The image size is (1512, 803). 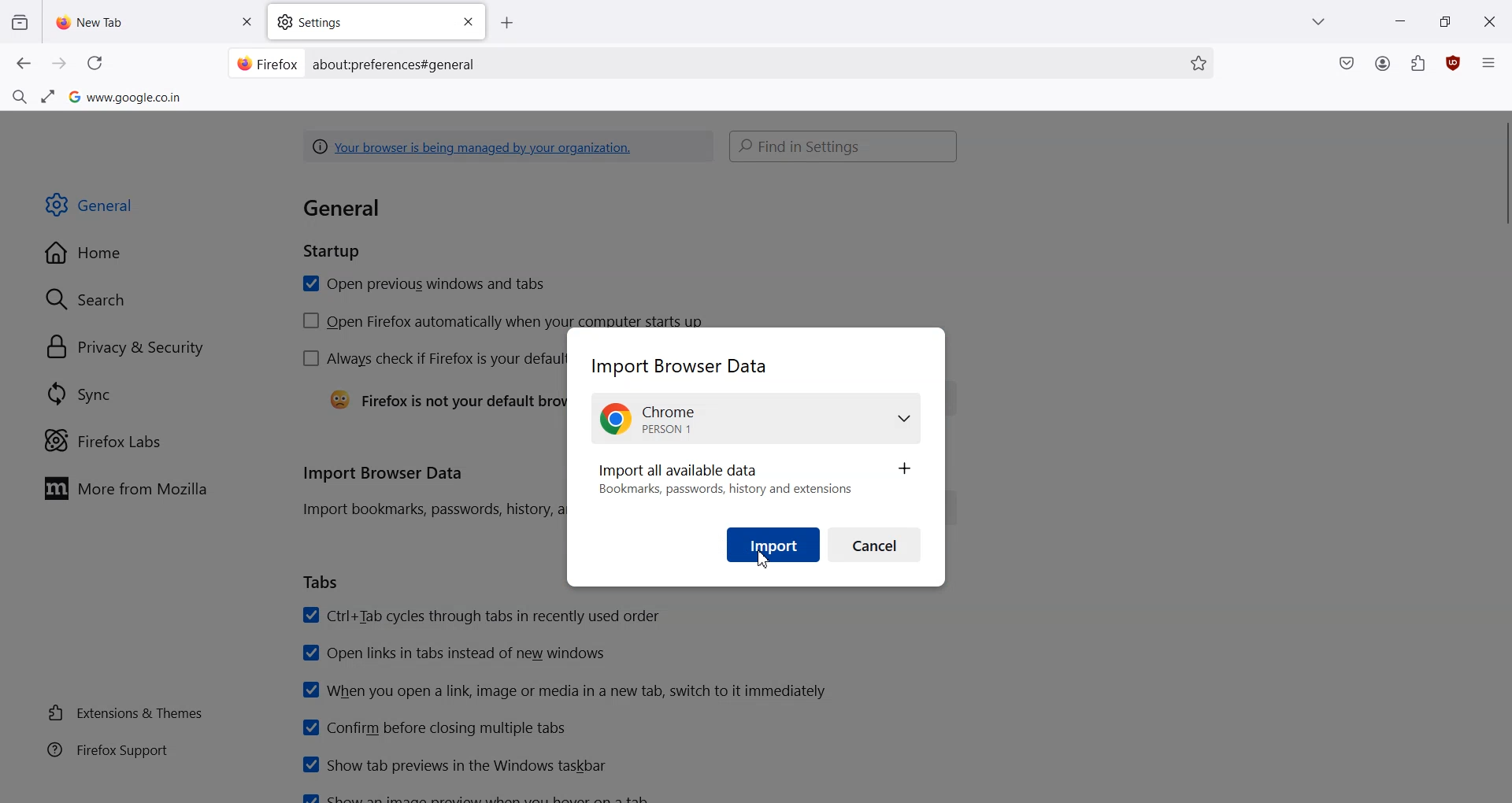 What do you see at coordinates (19, 94) in the screenshot?
I see `Find` at bounding box center [19, 94].